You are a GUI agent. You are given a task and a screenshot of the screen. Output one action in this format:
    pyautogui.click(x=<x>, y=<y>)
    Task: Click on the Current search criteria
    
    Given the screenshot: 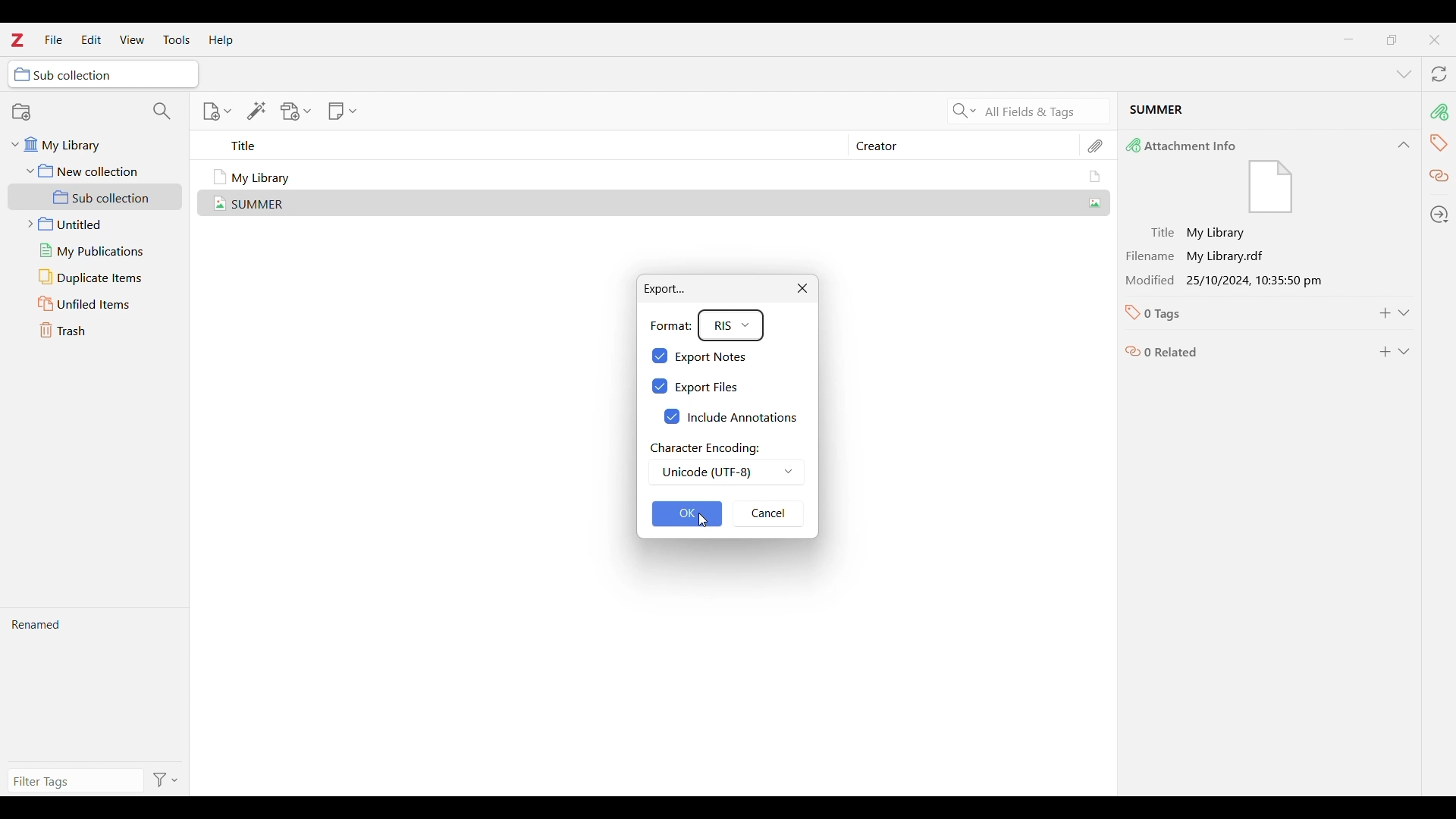 What is the action you would take?
    pyautogui.click(x=1043, y=111)
    